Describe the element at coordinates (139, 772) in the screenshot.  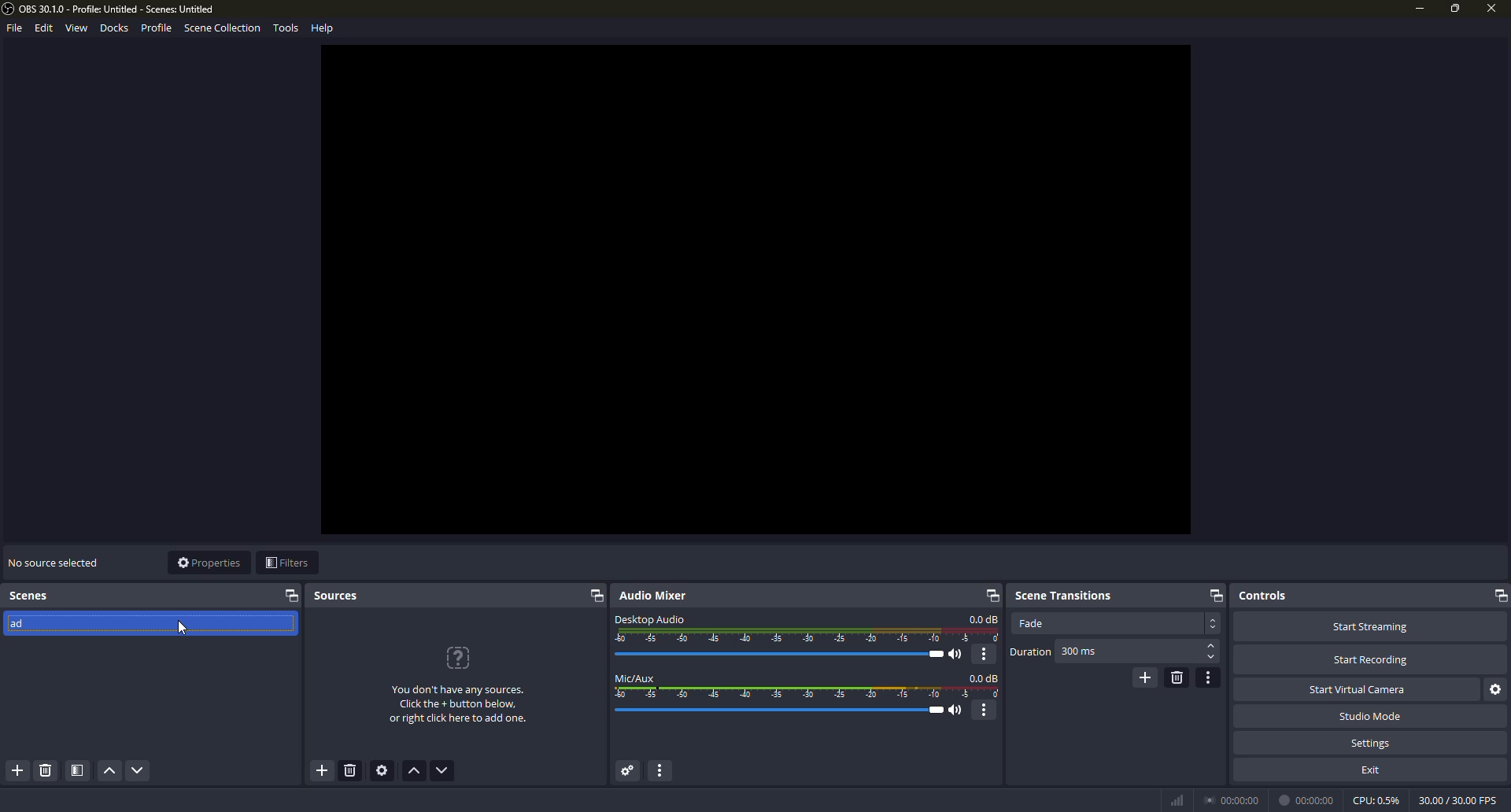
I see `move scene down` at that location.